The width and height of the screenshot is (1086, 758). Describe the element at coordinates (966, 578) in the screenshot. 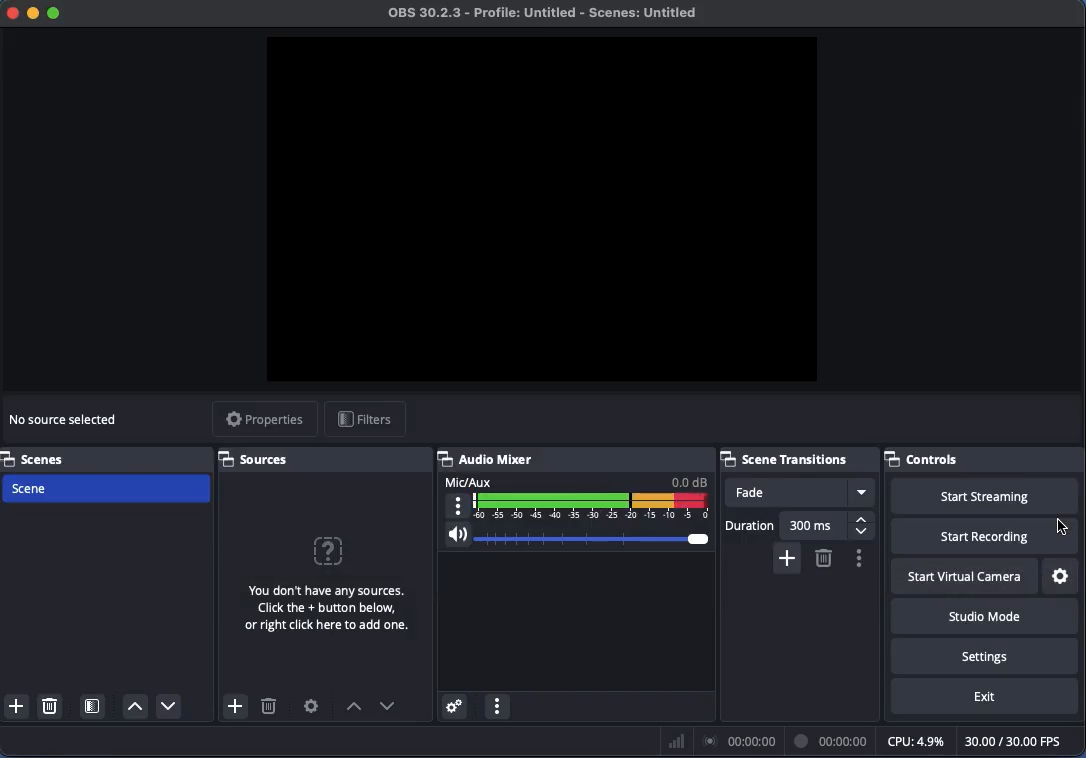

I see `Start virtual camera` at that location.